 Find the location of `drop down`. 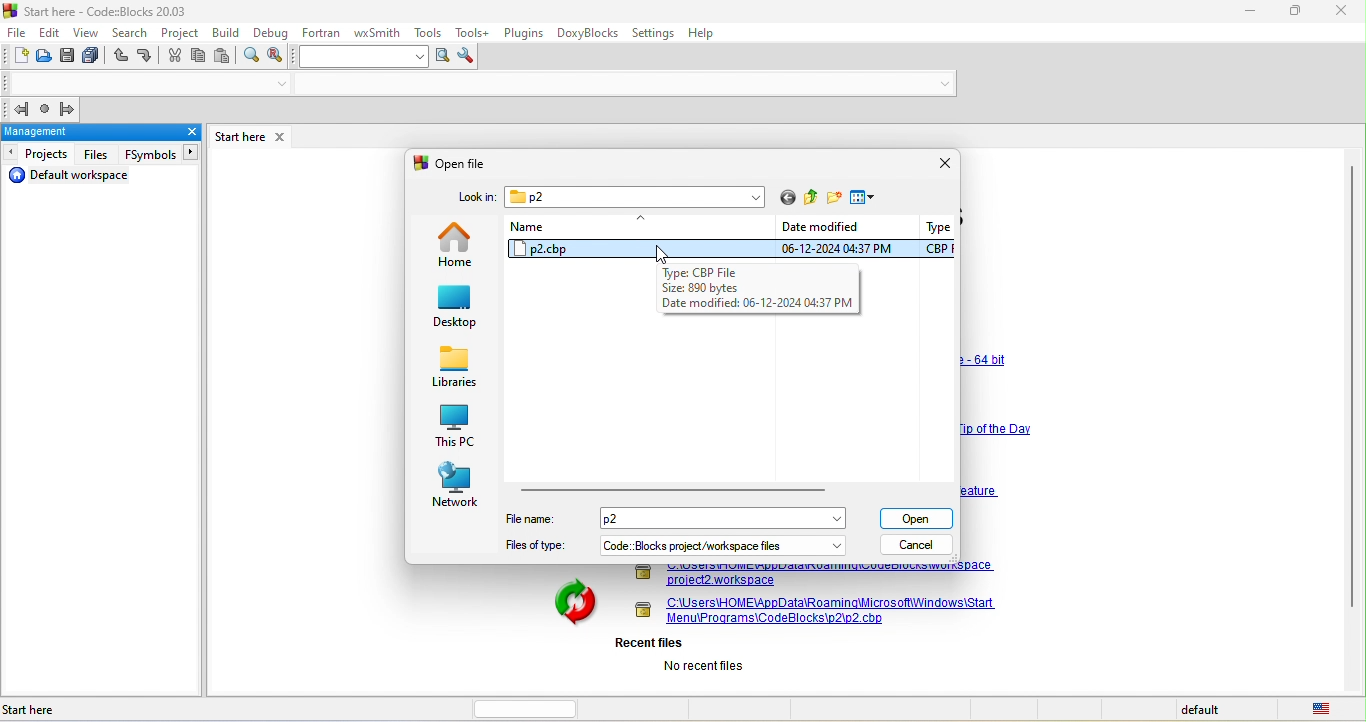

drop down is located at coordinates (942, 83).